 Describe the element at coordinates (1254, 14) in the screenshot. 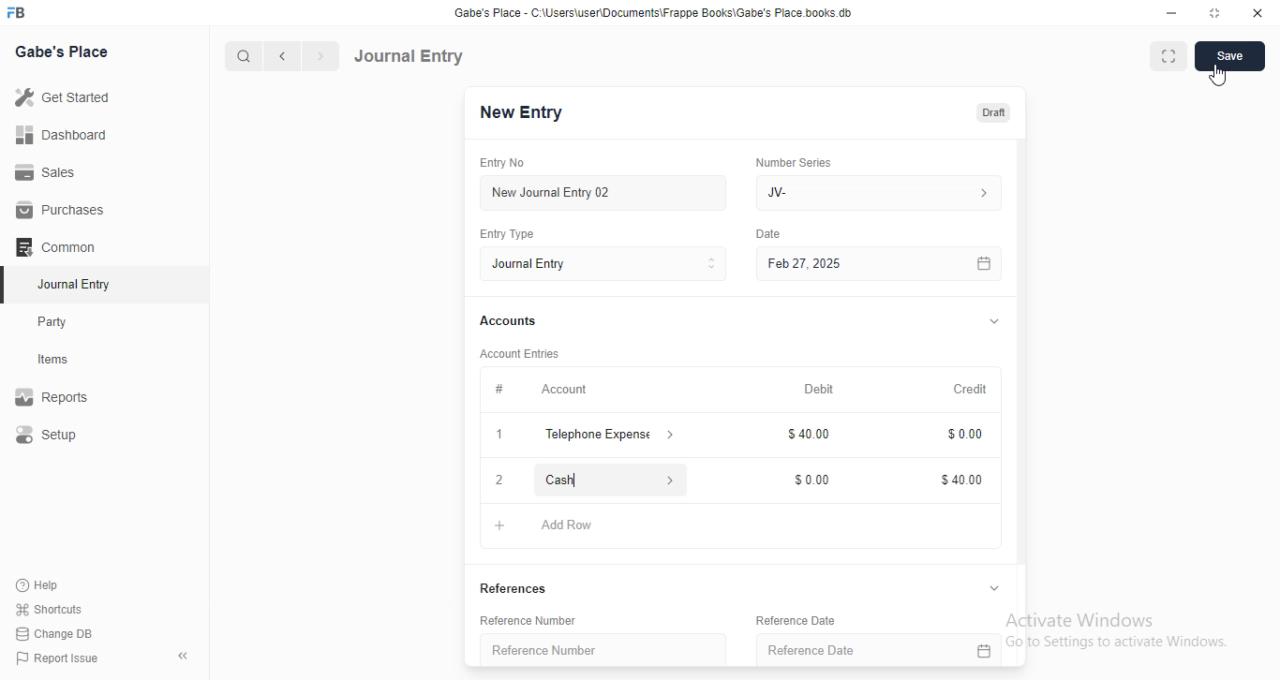

I see `Close` at that location.